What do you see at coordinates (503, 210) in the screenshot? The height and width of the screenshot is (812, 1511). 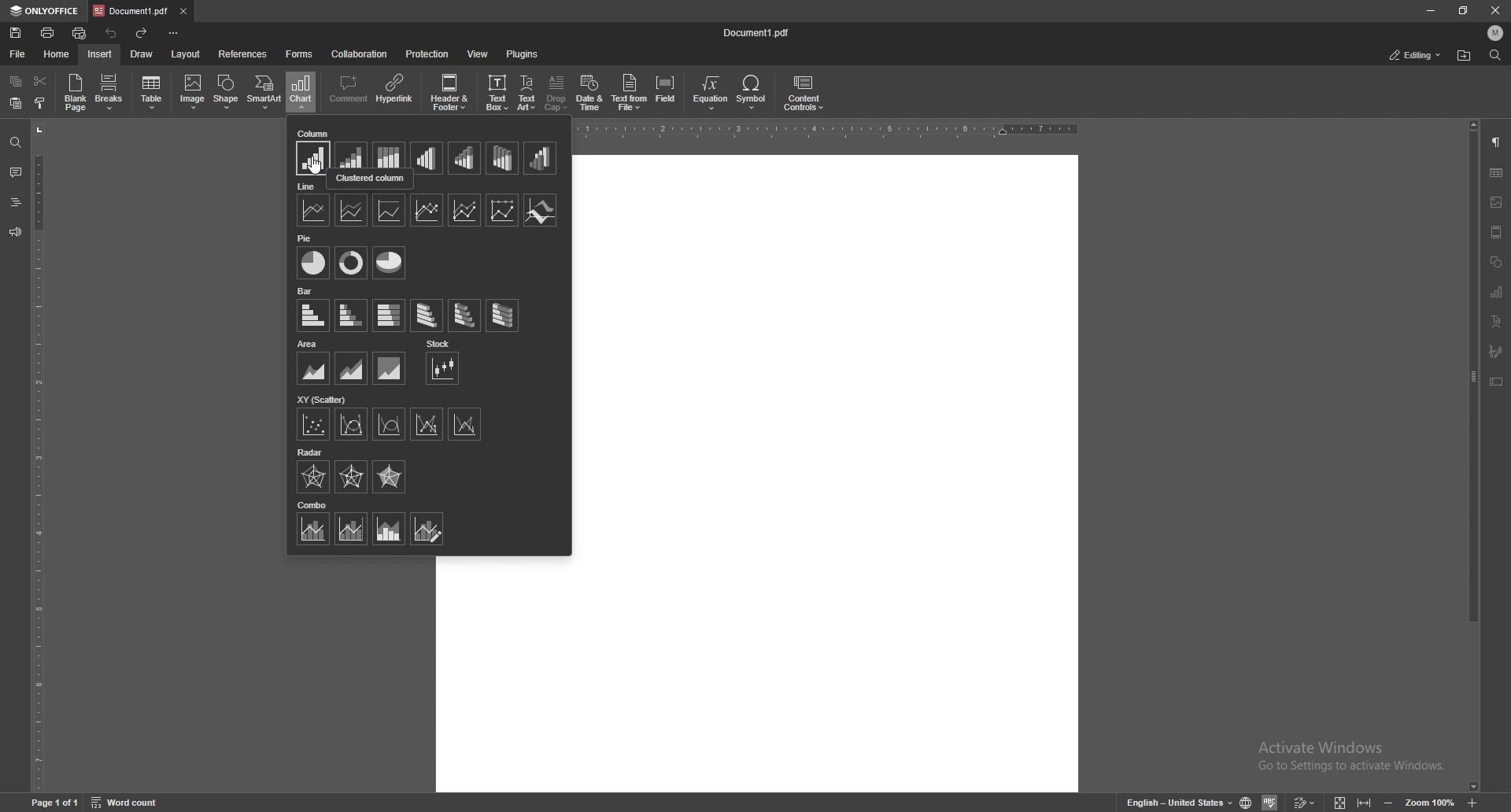 I see `100% stacked  line with markers` at bounding box center [503, 210].